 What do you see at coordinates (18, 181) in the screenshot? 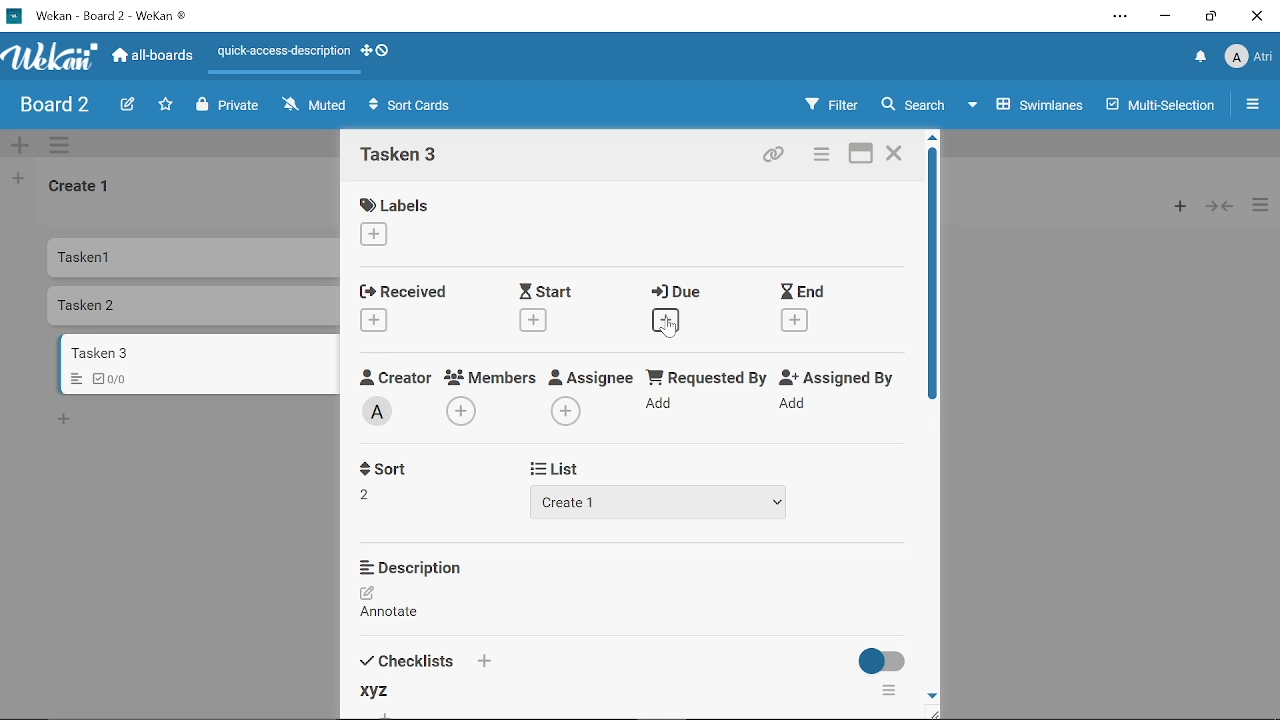
I see `Add list` at bounding box center [18, 181].